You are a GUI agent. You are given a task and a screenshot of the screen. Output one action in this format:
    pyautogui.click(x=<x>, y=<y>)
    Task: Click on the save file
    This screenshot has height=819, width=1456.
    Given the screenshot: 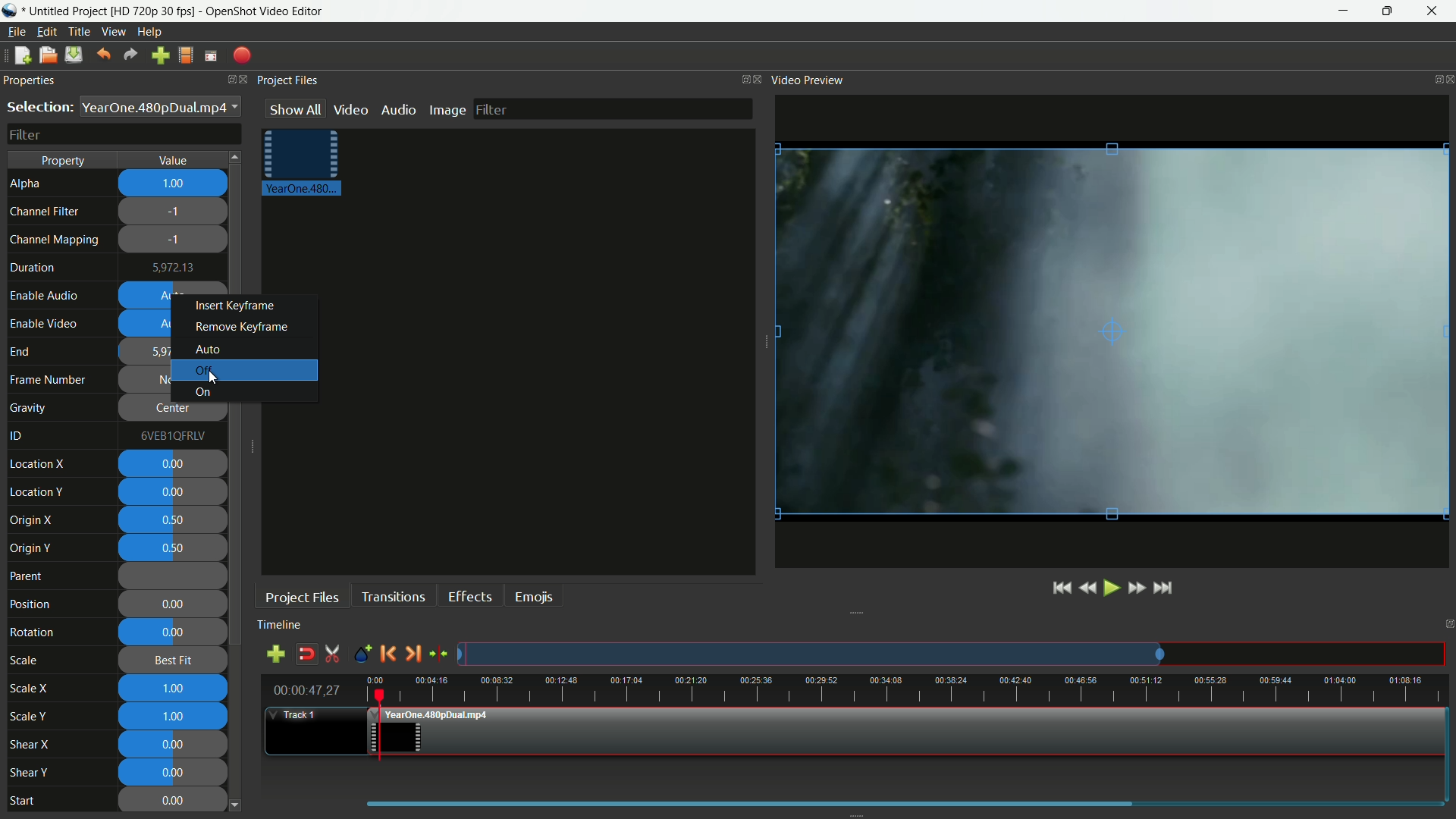 What is the action you would take?
    pyautogui.click(x=74, y=55)
    